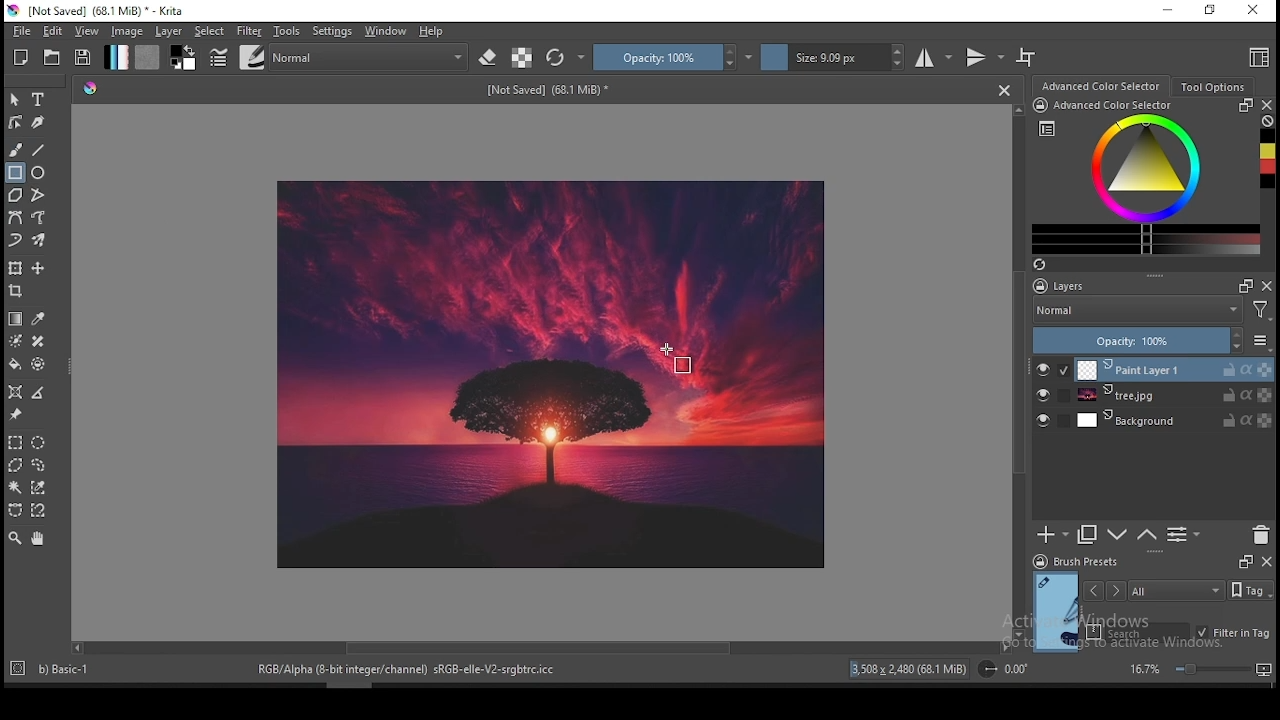  Describe the element at coordinates (14, 173) in the screenshot. I see `rectangle tool` at that location.